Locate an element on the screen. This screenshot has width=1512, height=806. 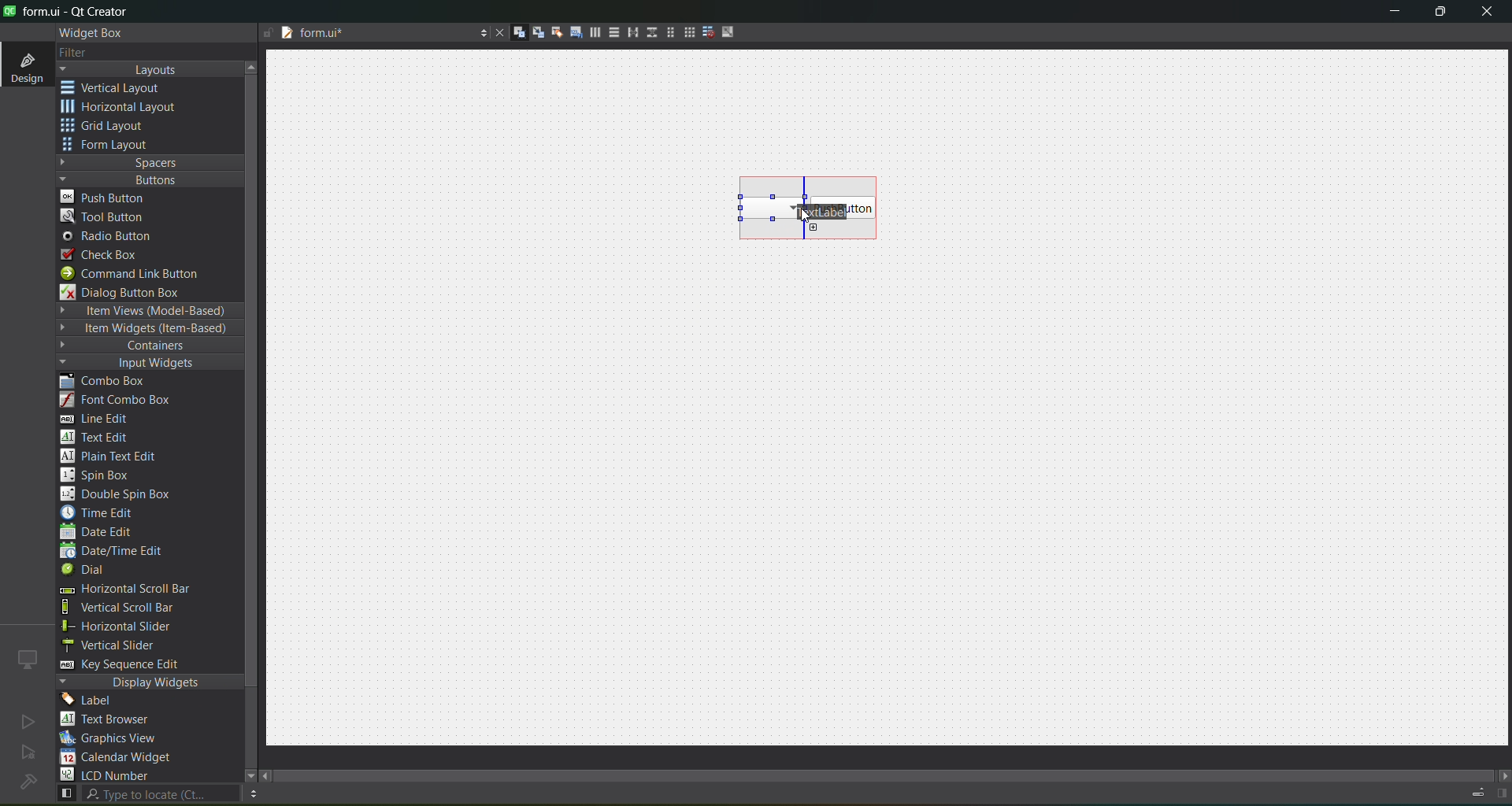
minimize is located at coordinates (1395, 14).